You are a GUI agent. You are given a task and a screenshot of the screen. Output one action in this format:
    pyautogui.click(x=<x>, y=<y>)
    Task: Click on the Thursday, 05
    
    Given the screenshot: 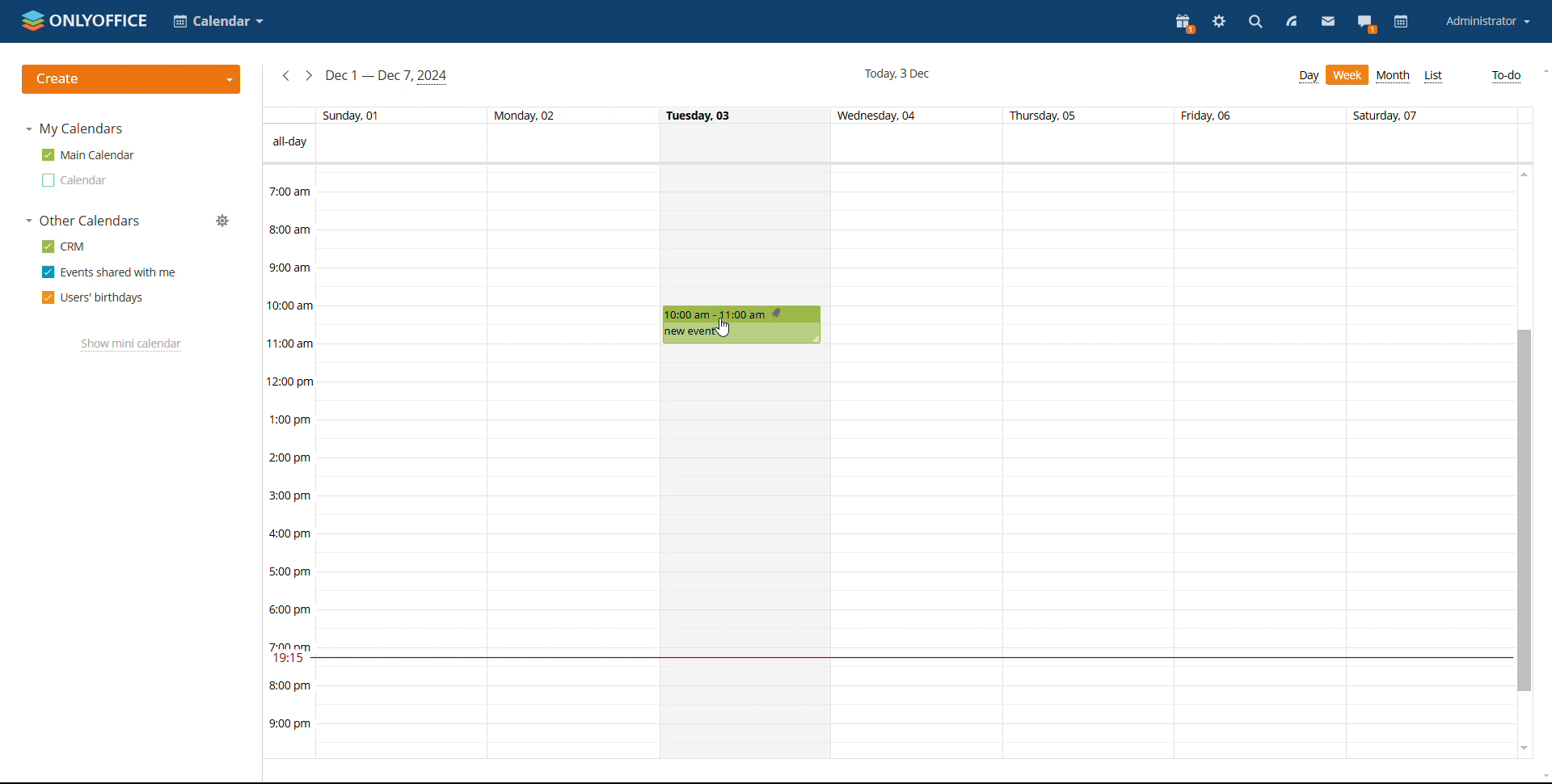 What is the action you would take?
    pyautogui.click(x=1045, y=116)
    